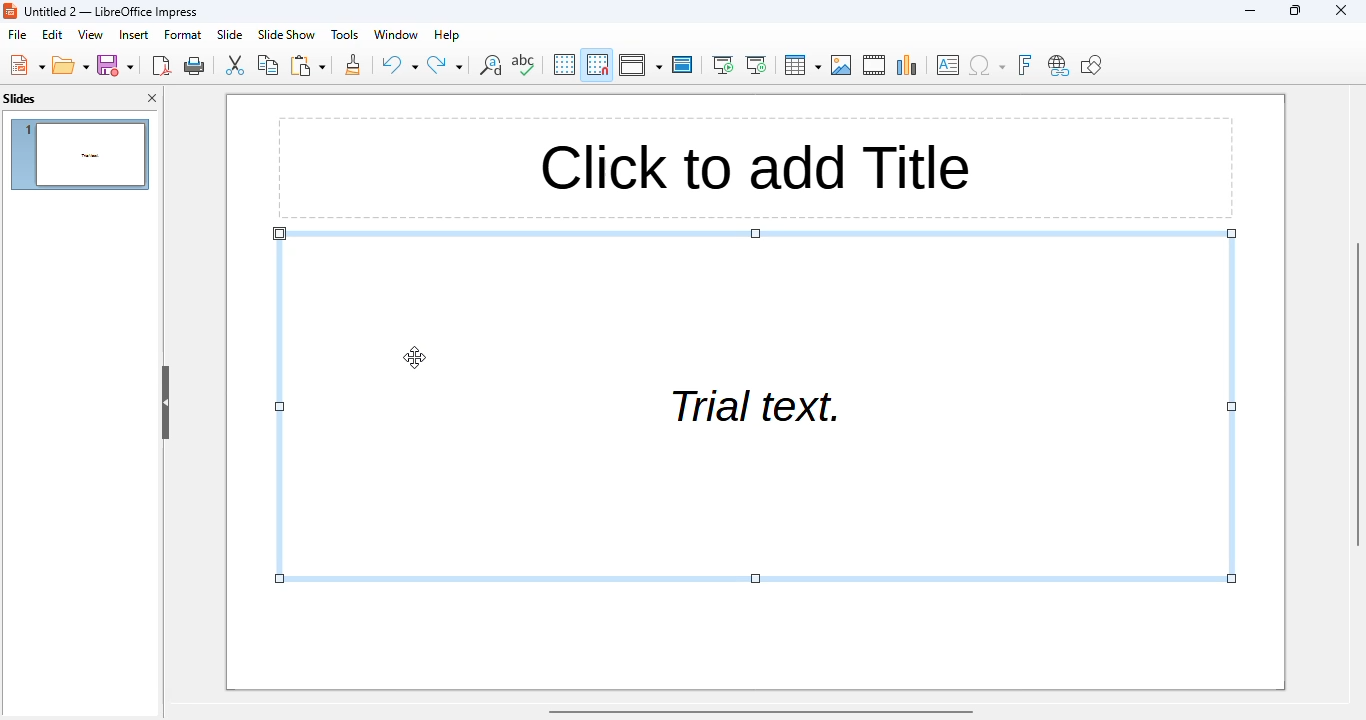  What do you see at coordinates (162, 65) in the screenshot?
I see `export directly as PDF` at bounding box center [162, 65].